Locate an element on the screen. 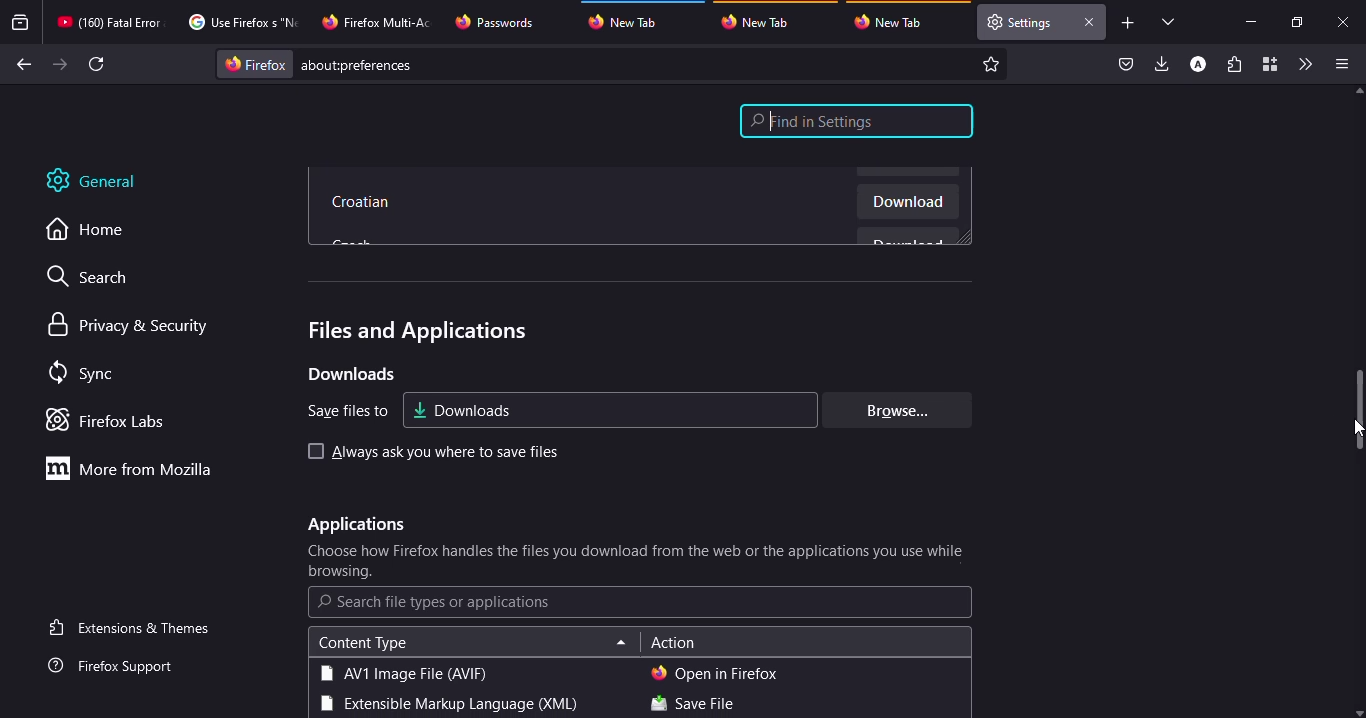 Image resolution: width=1366 pixels, height=718 pixels. tab is located at coordinates (379, 20).